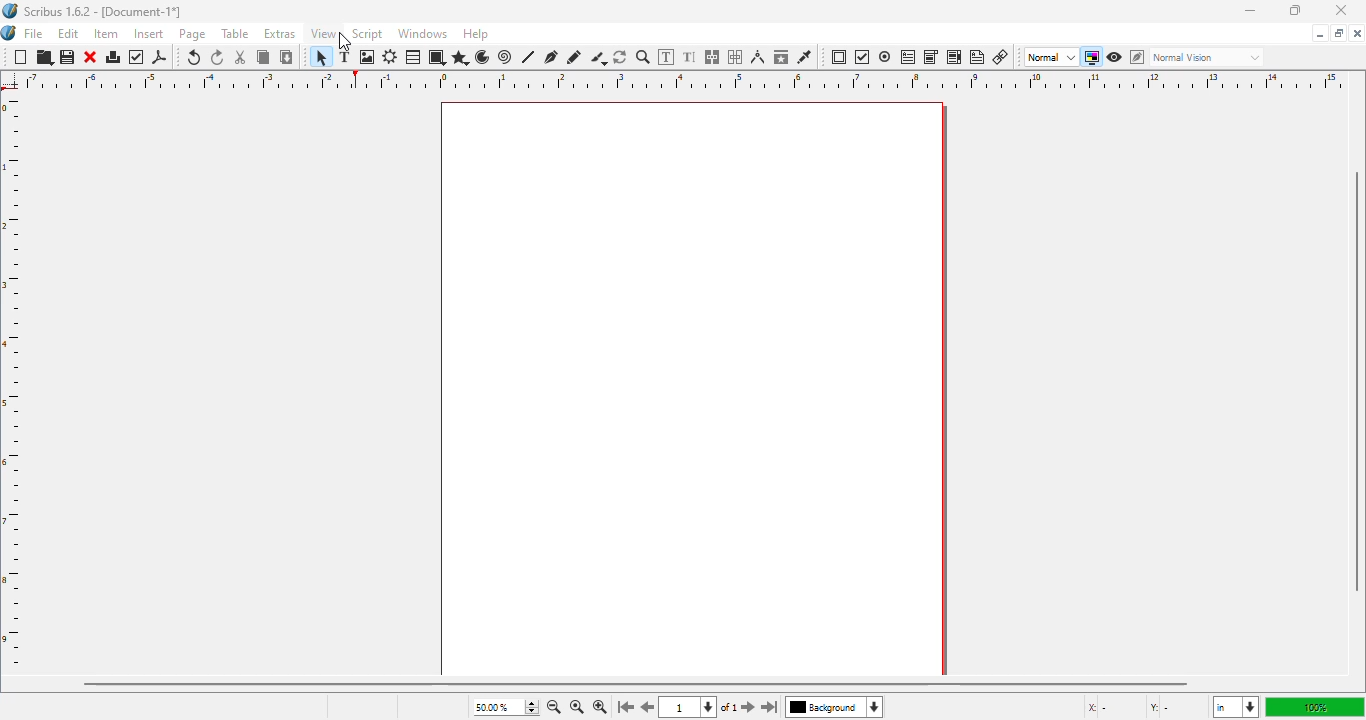 This screenshot has height=720, width=1366. I want to click on script, so click(368, 34).